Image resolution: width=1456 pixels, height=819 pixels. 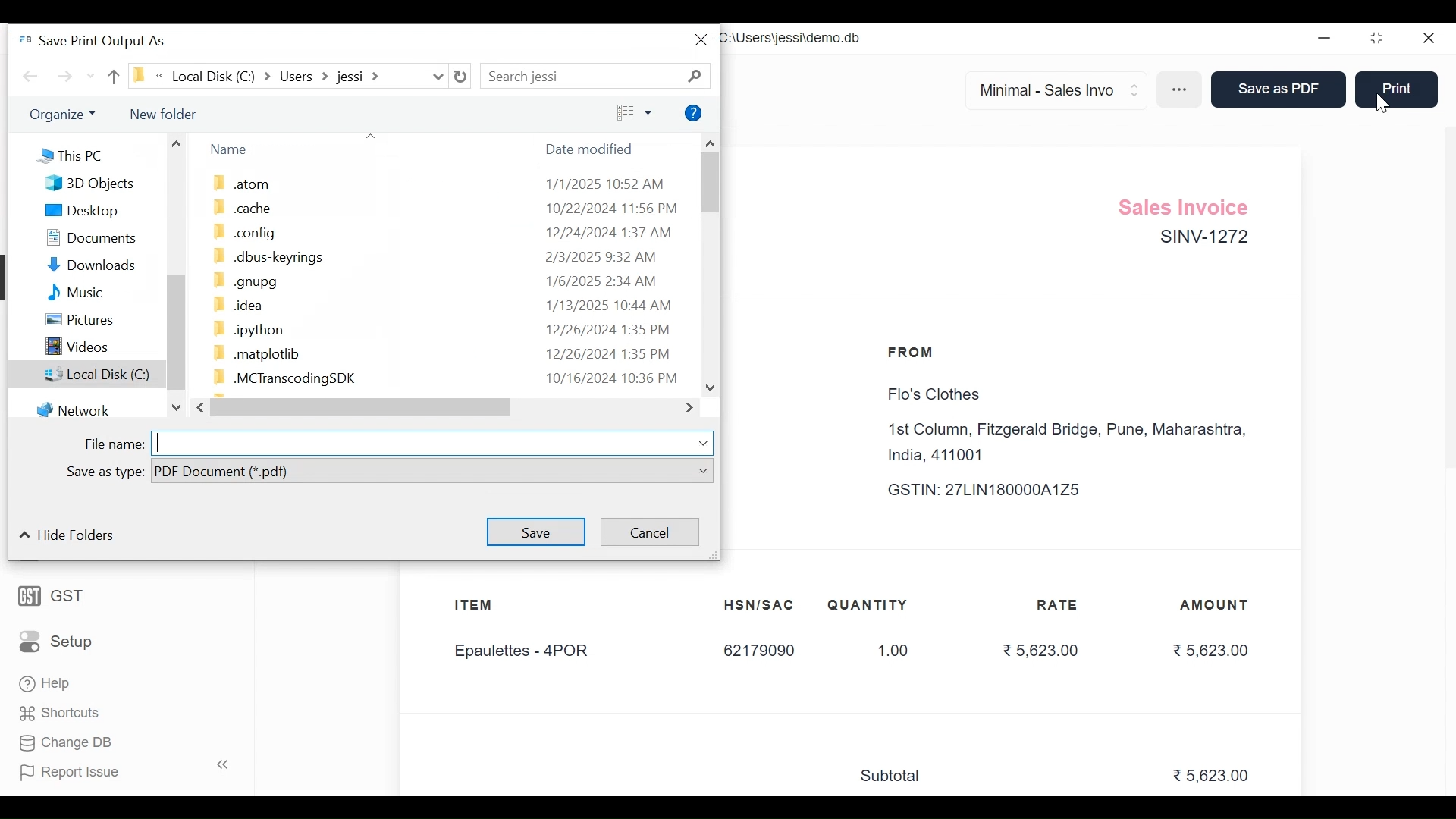 I want to click on .gnupg, so click(x=242, y=281).